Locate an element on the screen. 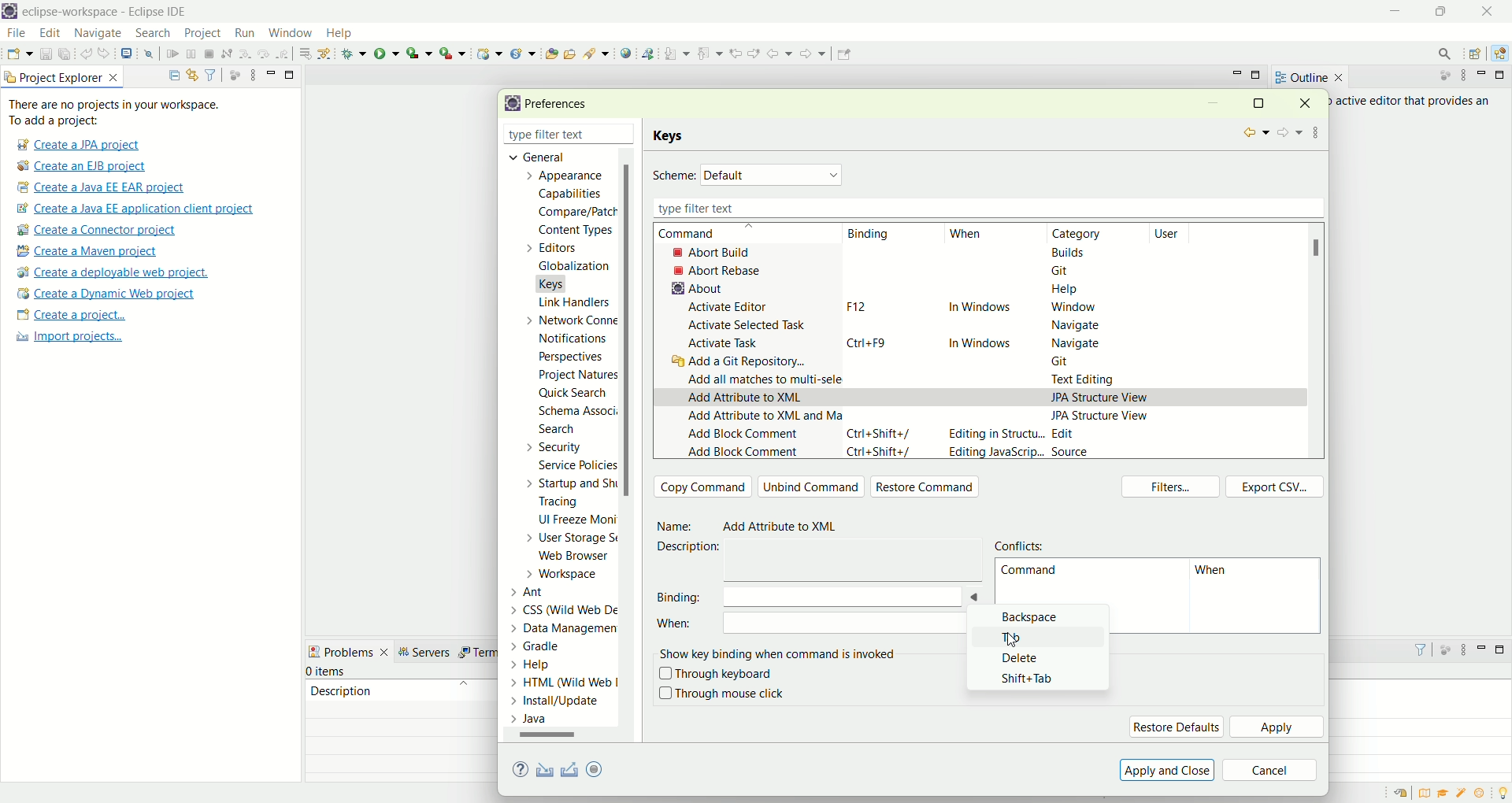 This screenshot has height=803, width=1512. outline is located at coordinates (1309, 77).